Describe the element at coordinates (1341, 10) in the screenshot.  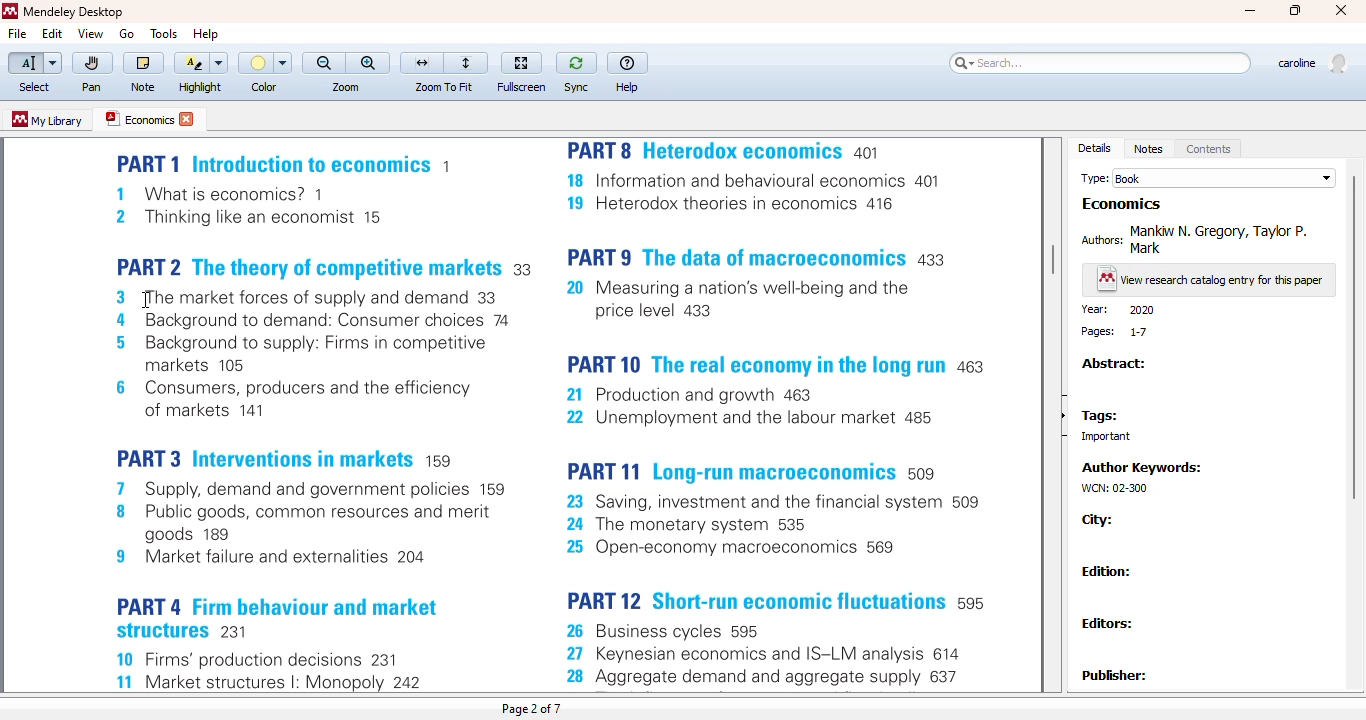
I see `Close` at that location.